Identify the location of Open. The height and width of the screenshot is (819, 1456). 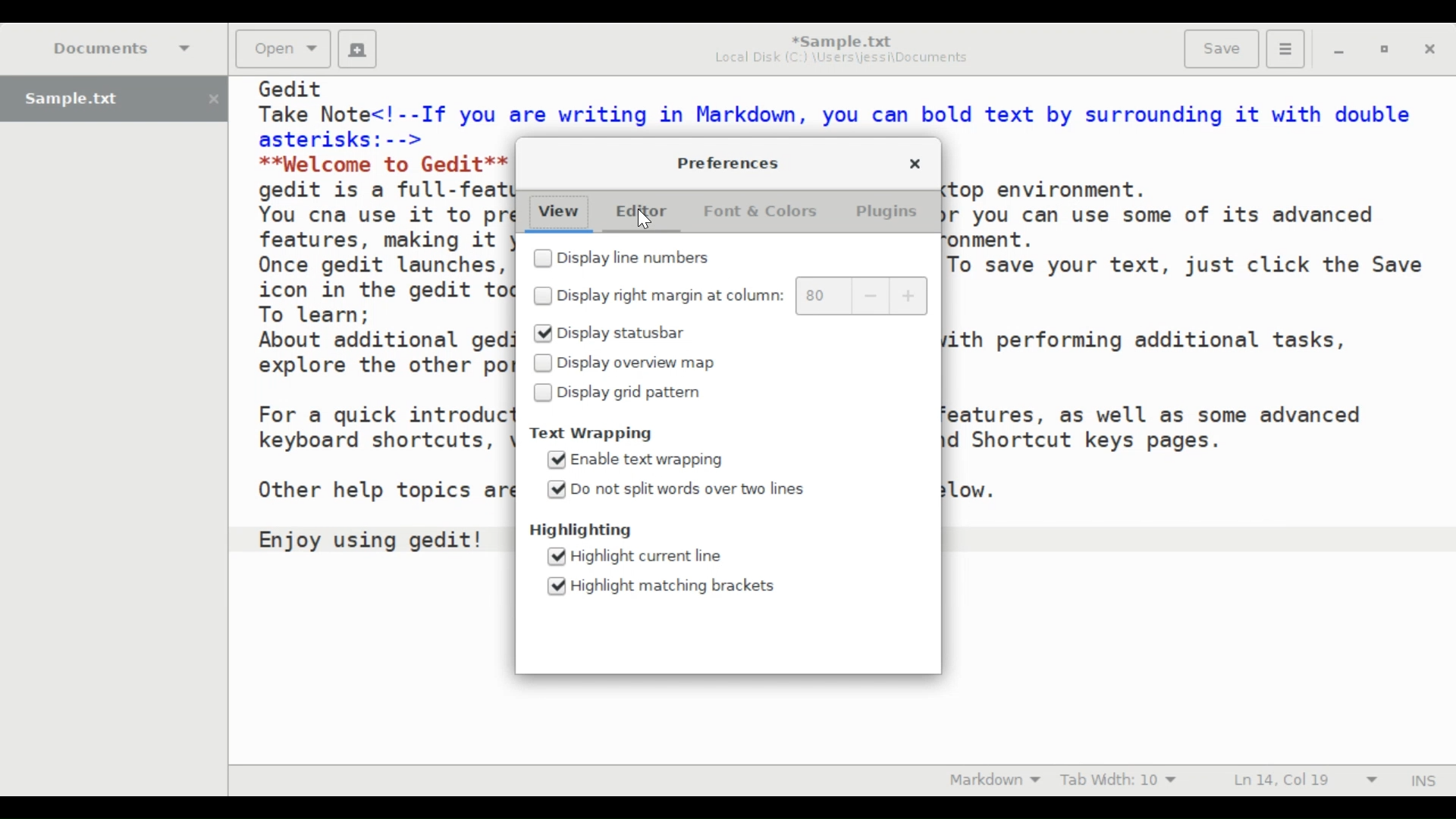
(281, 49).